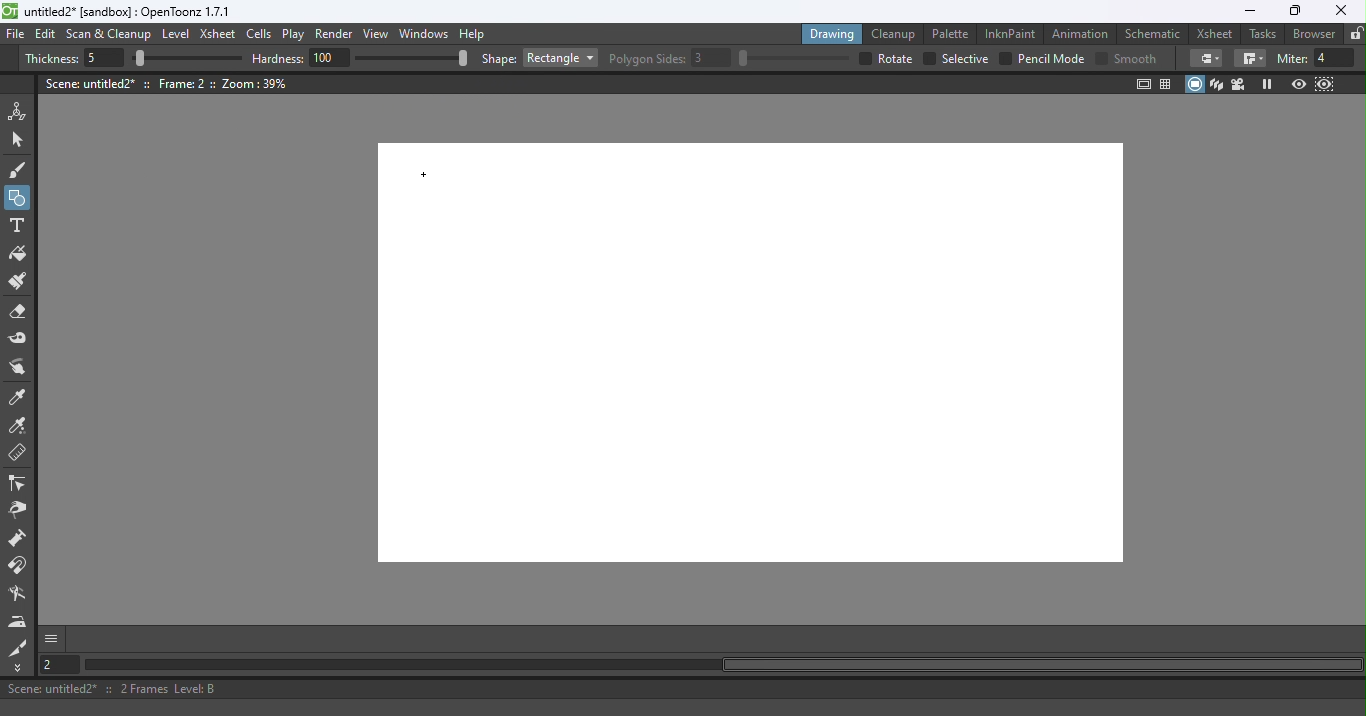 This screenshot has width=1366, height=716. Describe the element at coordinates (1311, 33) in the screenshot. I see `Browser` at that location.